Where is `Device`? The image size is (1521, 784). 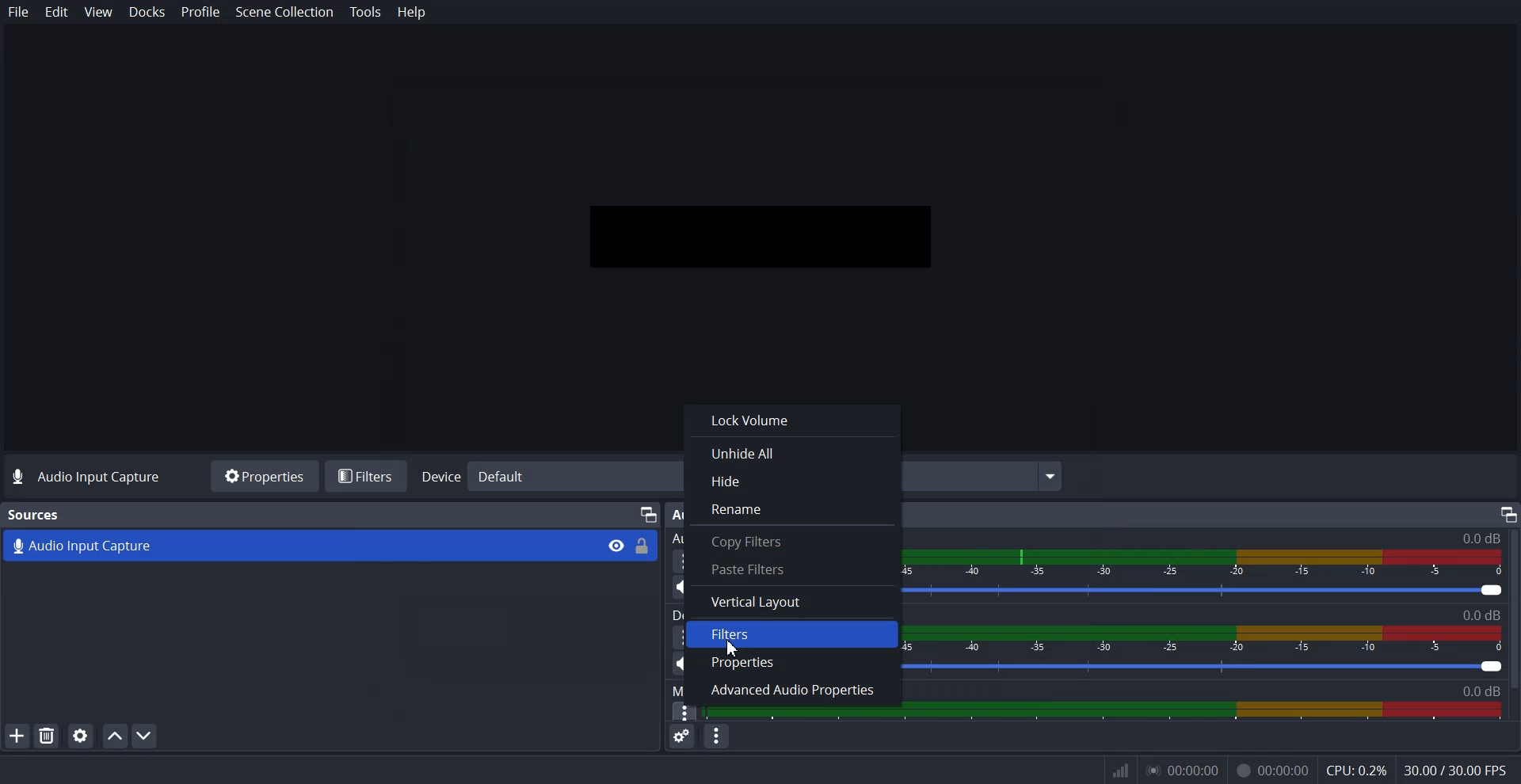 Device is located at coordinates (650, 515).